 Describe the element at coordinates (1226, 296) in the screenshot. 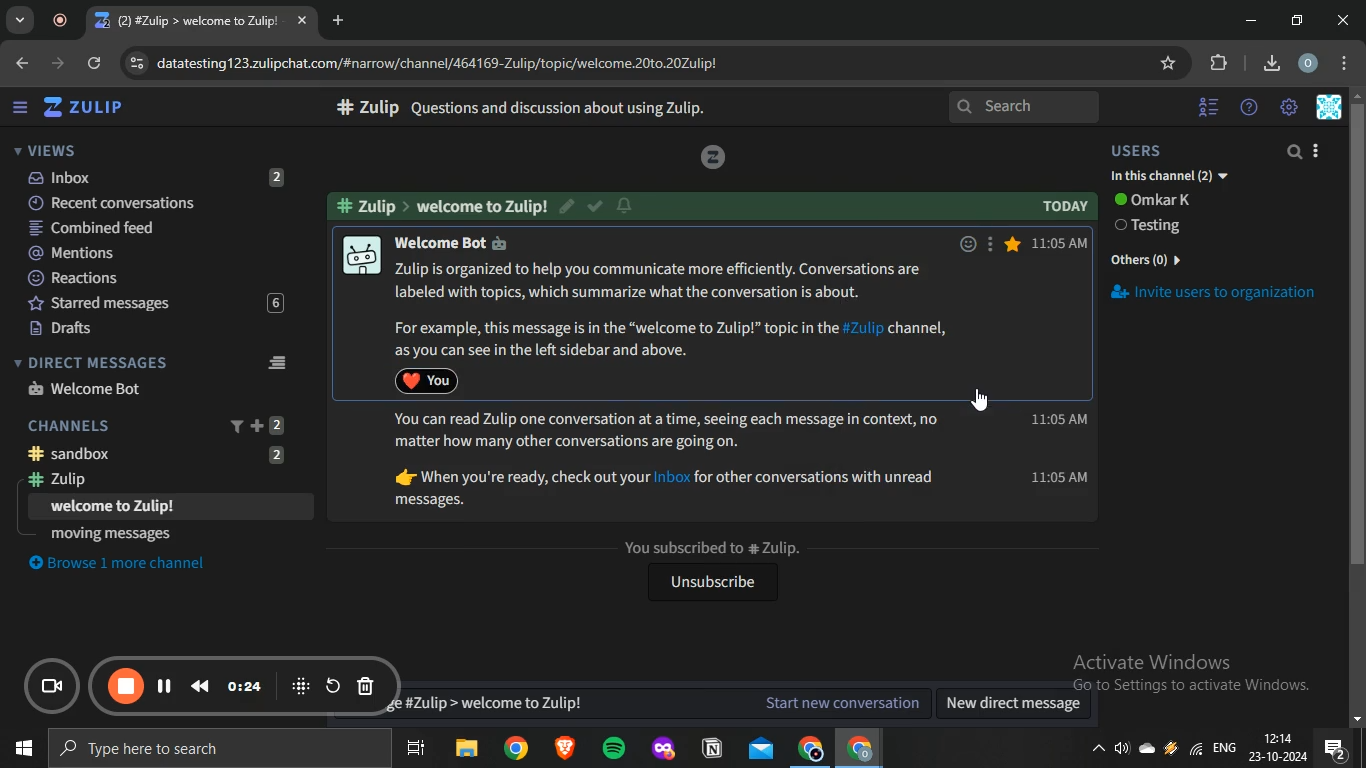

I see `invite users to organization` at that location.